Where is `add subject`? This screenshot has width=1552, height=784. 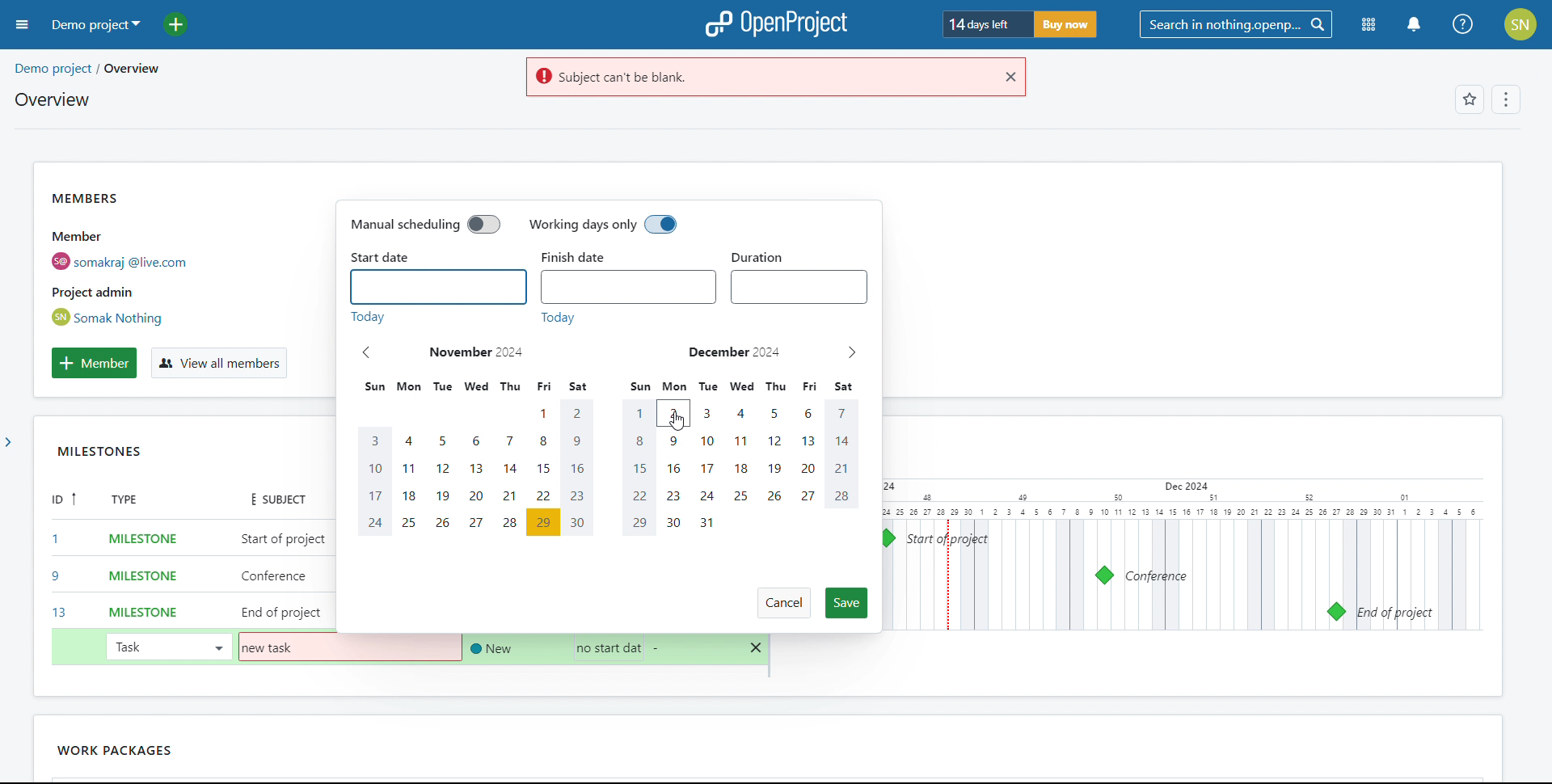
add subject is located at coordinates (285, 576).